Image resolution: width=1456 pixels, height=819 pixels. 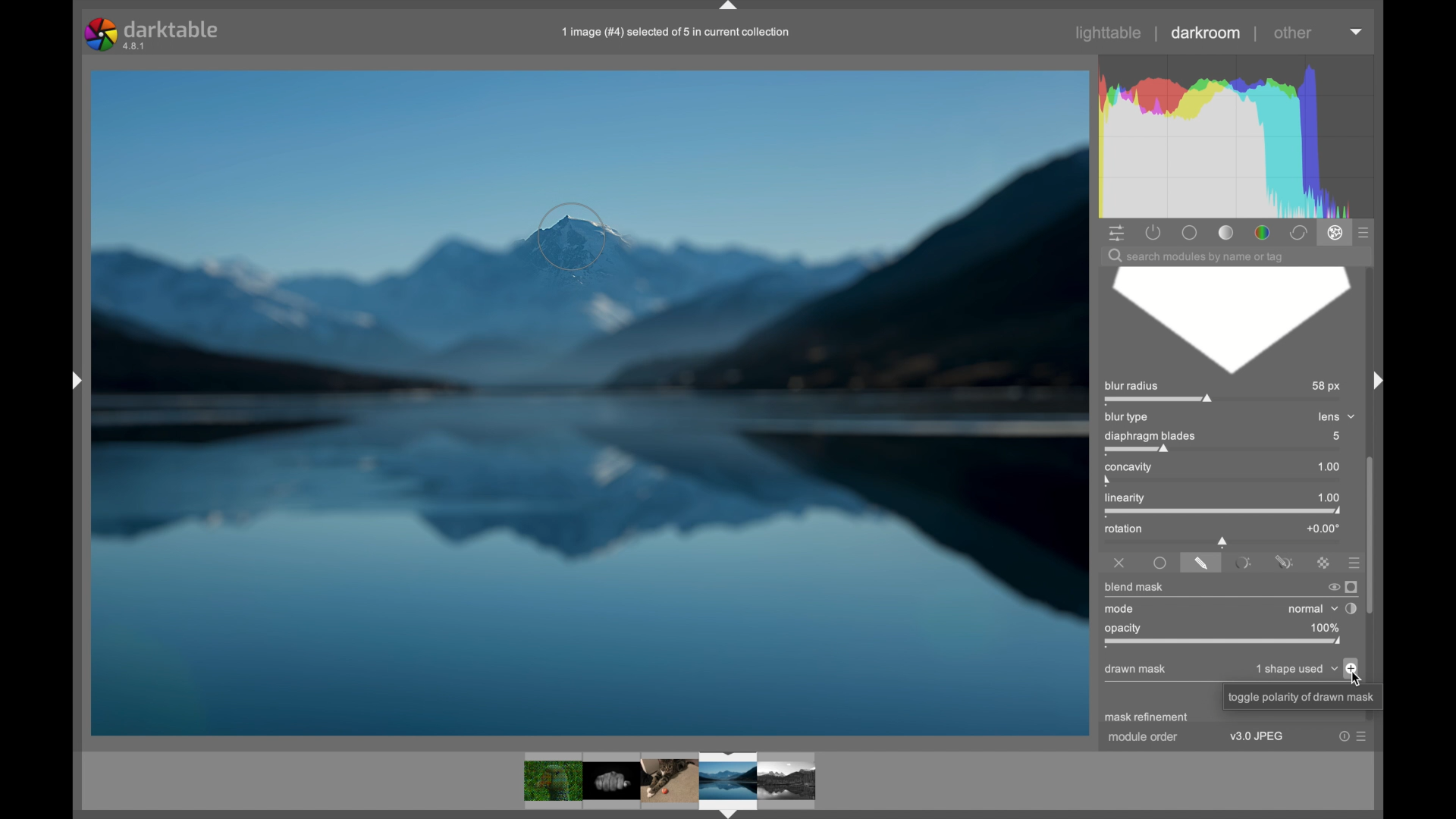 I want to click on blurred photo, so click(x=589, y=401).